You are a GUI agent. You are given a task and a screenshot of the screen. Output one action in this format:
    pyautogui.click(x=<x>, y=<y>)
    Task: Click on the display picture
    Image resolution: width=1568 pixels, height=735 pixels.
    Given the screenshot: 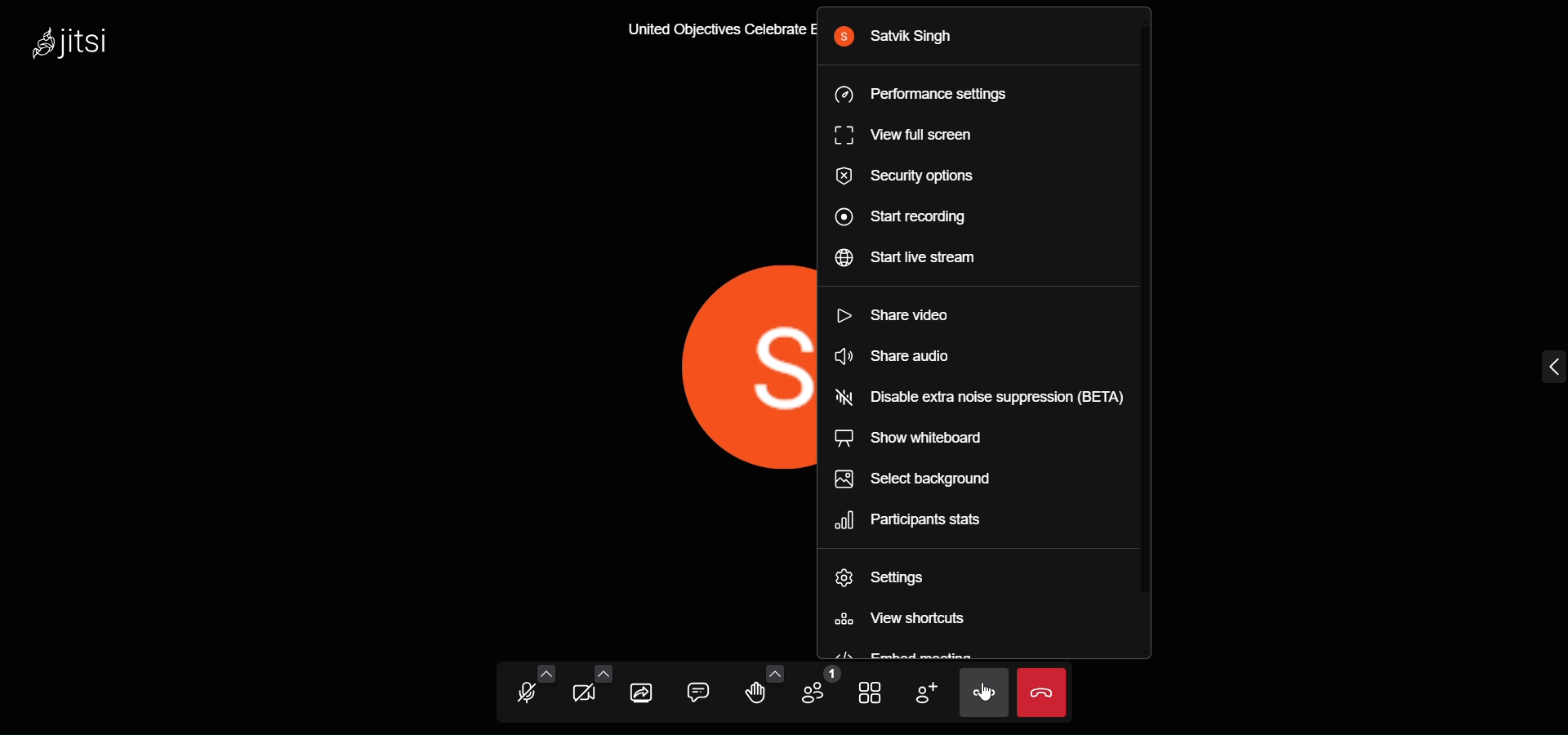 What is the action you would take?
    pyautogui.click(x=745, y=356)
    